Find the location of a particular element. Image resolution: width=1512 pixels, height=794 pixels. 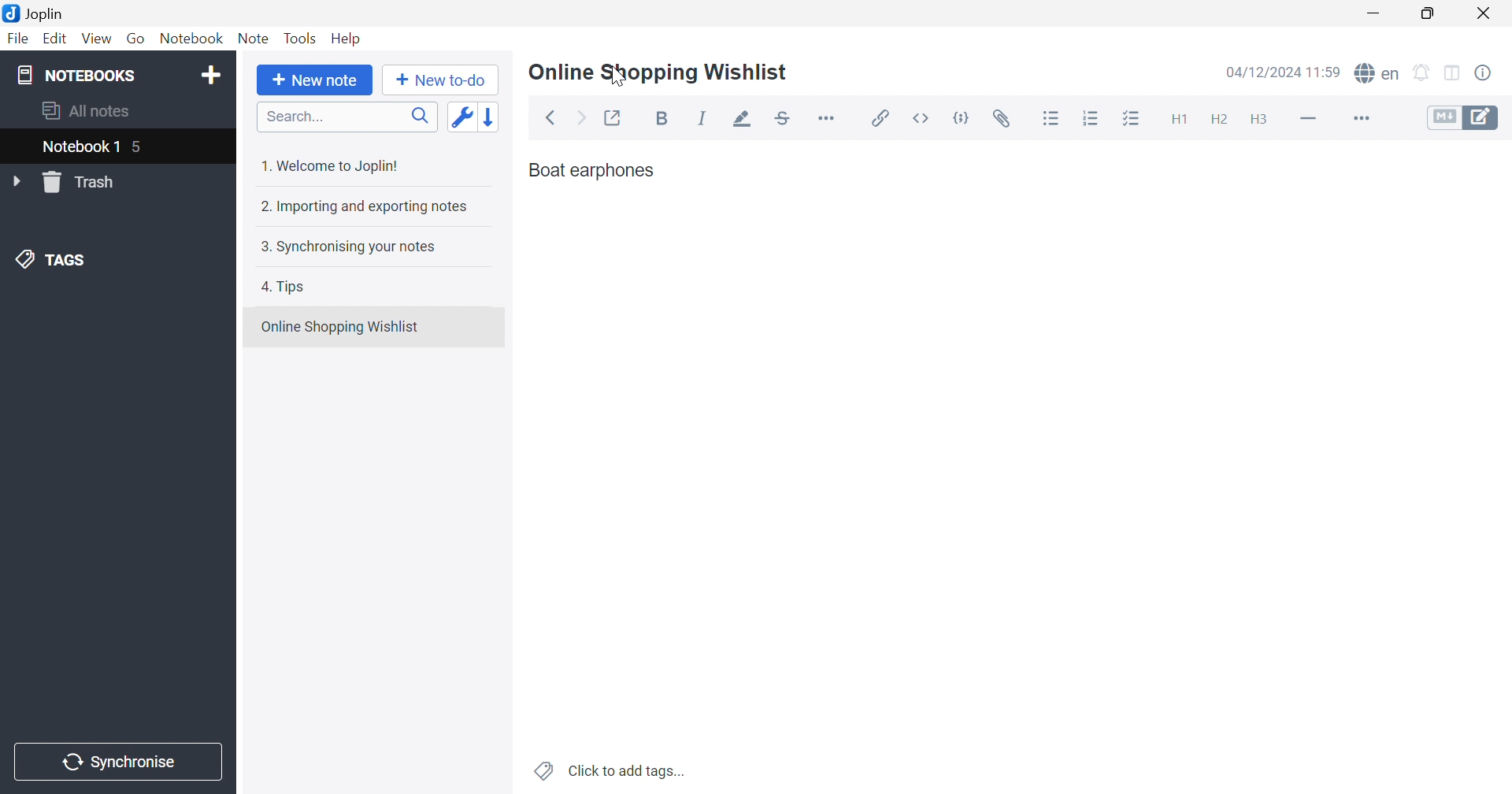

Toggle editor layout is located at coordinates (1454, 74).